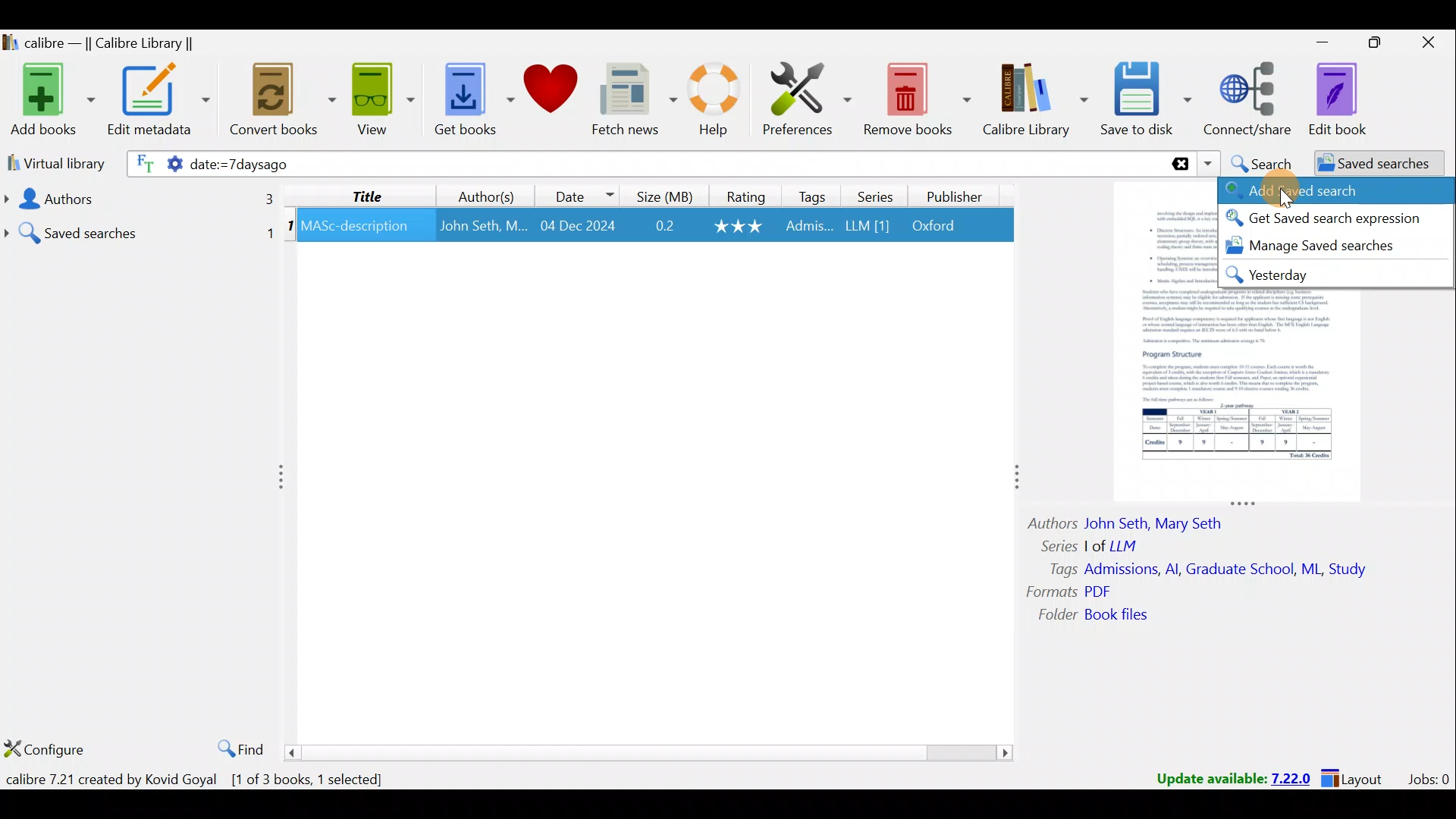  I want to click on Get saved search expressions, so click(1336, 219).